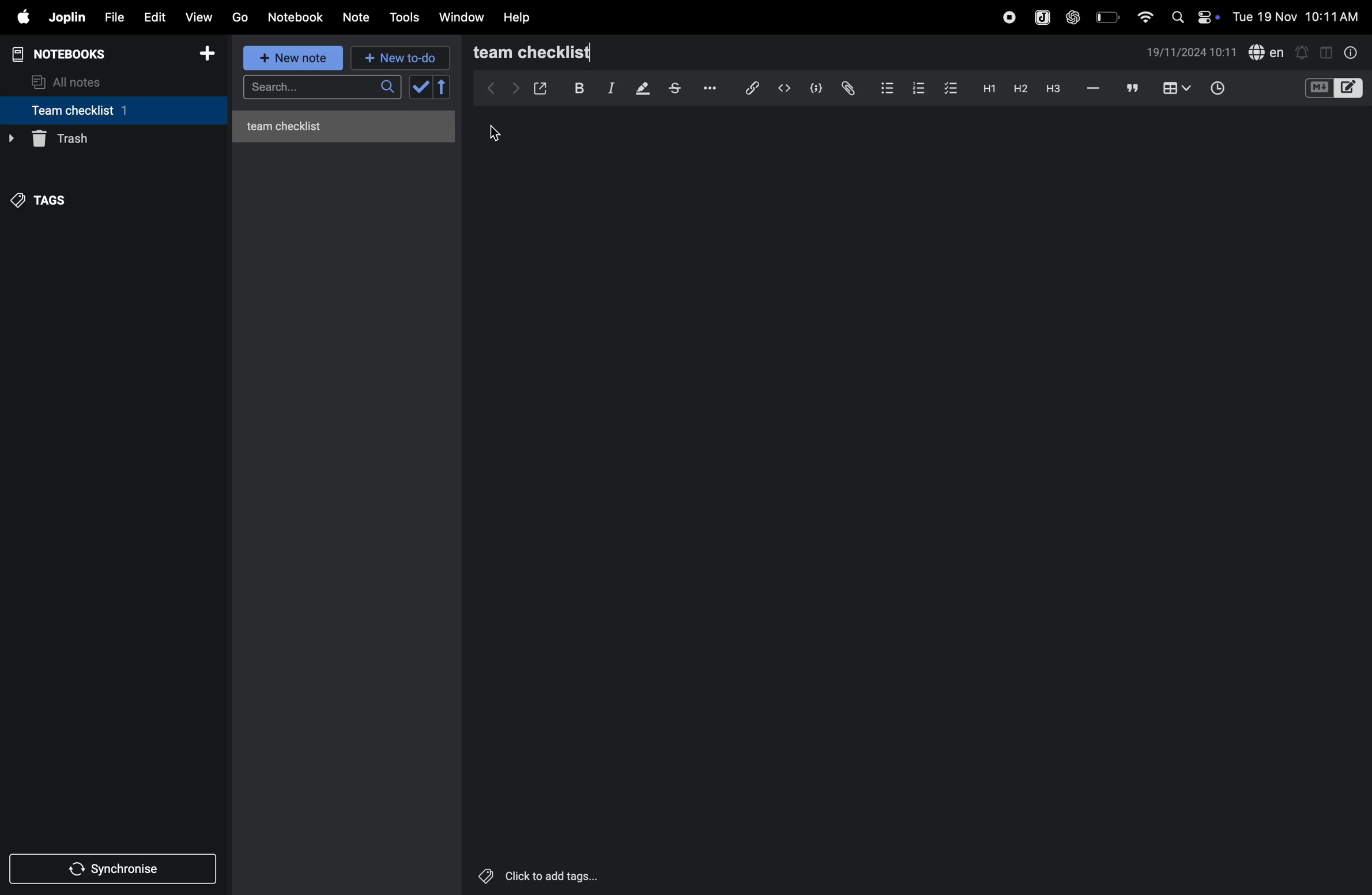 The width and height of the screenshot is (1372, 895). Describe the element at coordinates (557, 52) in the screenshot. I see `team checklist` at that location.